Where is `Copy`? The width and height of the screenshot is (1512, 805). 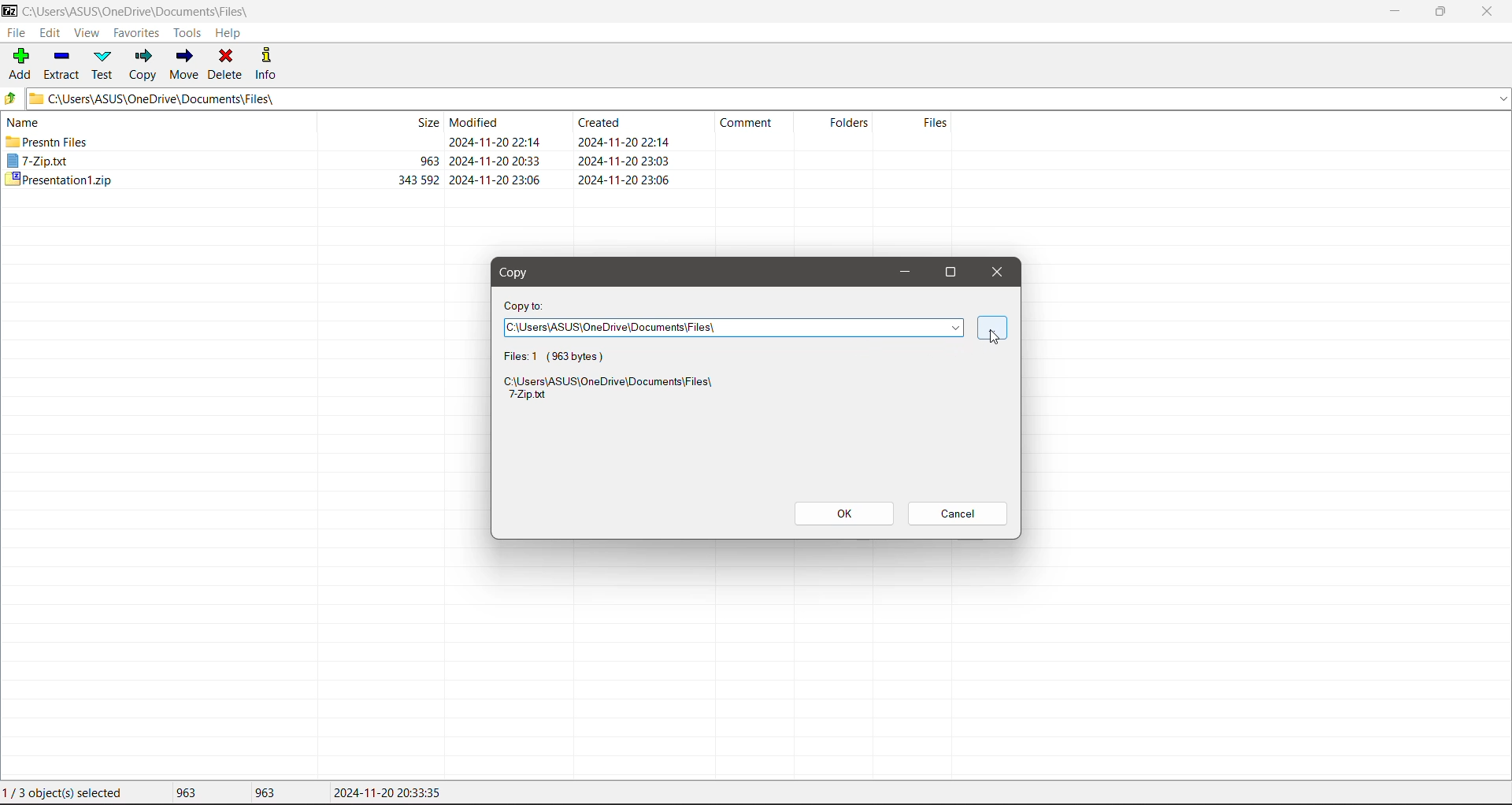
Copy is located at coordinates (143, 64).